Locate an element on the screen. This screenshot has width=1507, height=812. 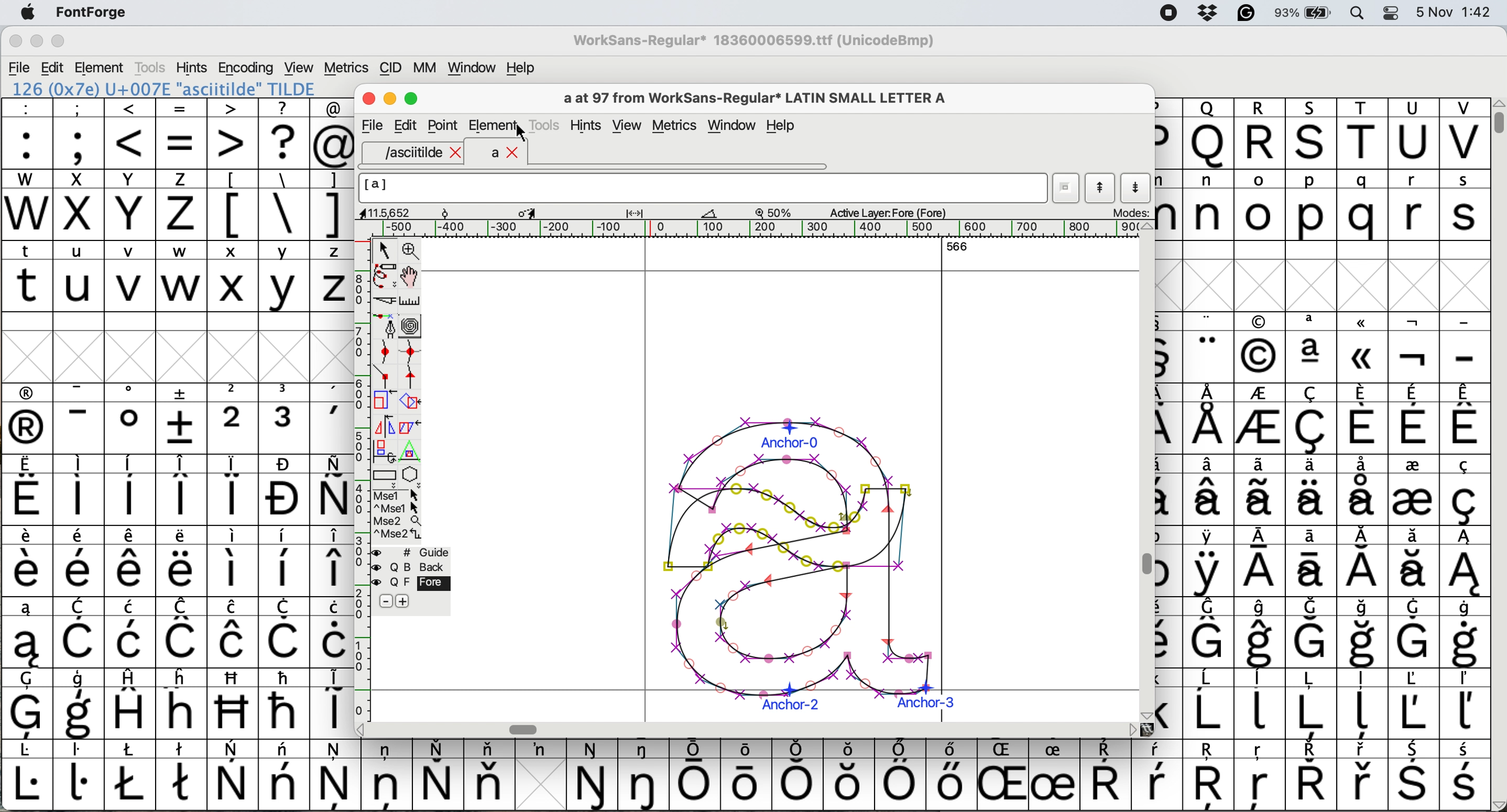
symbol is located at coordinates (27, 562).